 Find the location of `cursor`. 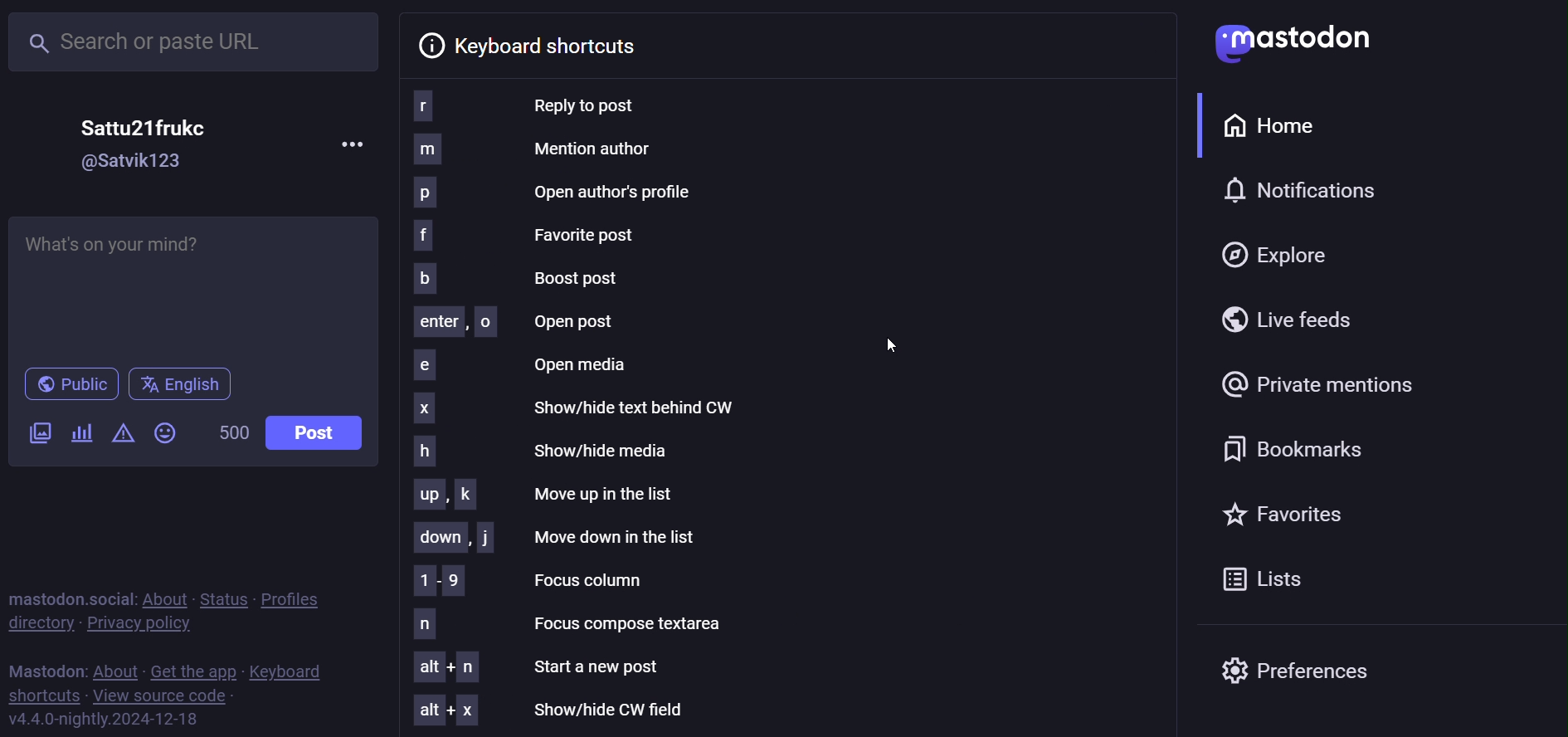

cursor is located at coordinates (888, 346).